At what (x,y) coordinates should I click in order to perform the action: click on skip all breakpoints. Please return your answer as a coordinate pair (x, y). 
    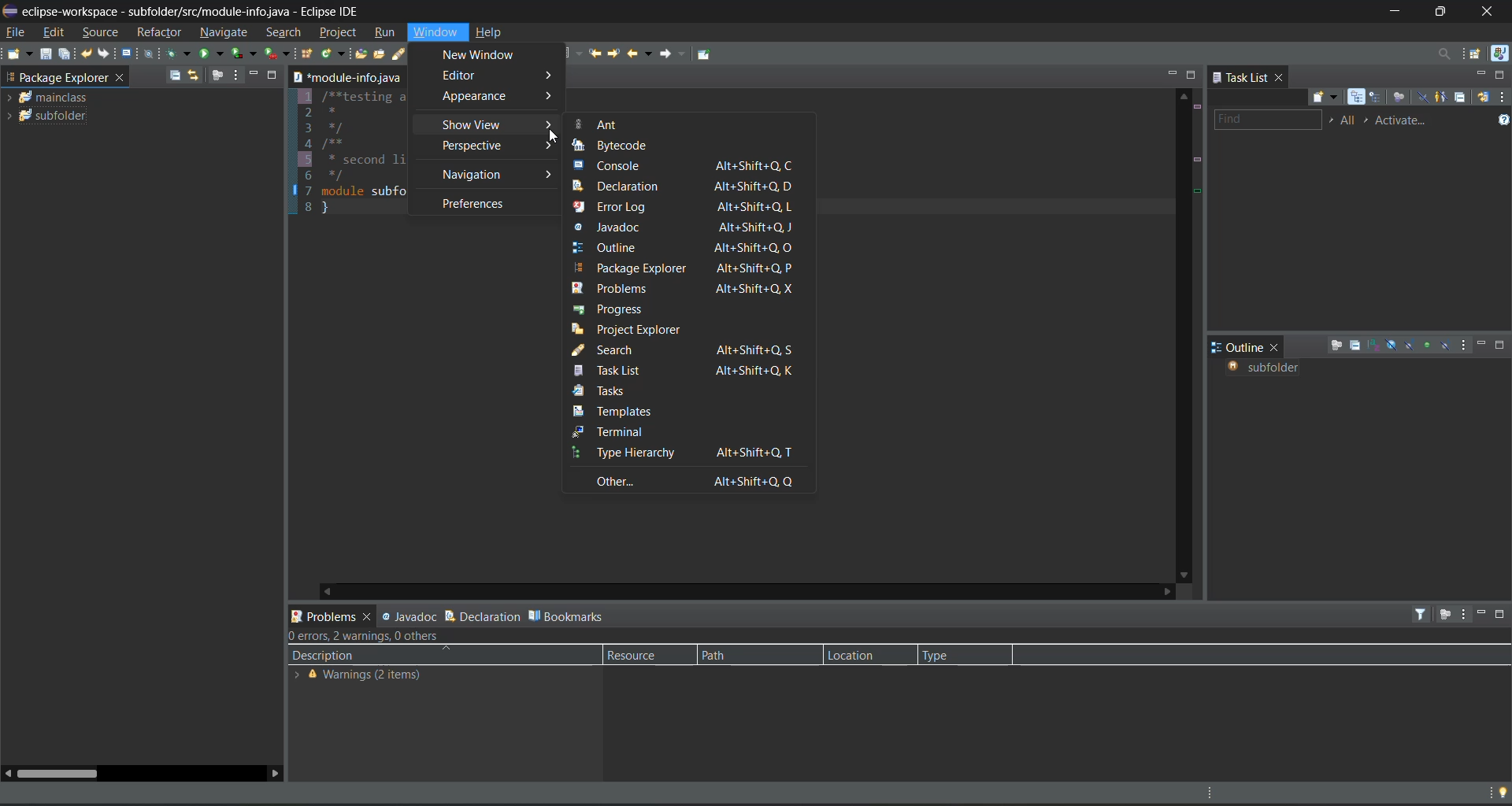
    Looking at the image, I should click on (150, 54).